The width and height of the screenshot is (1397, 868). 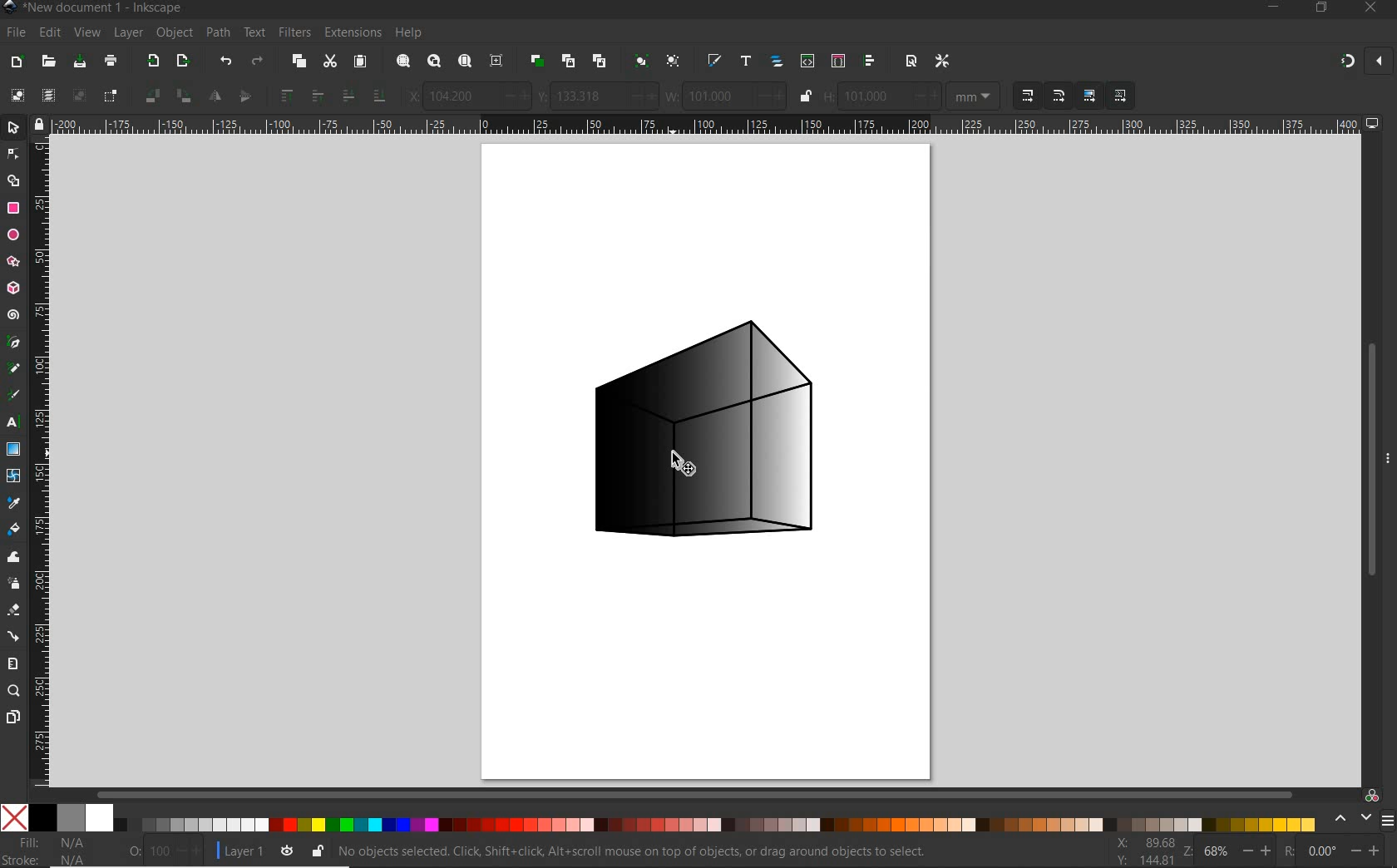 What do you see at coordinates (911, 62) in the screenshot?
I see `OPEN DOCUMENTS PROPERTIES` at bounding box center [911, 62].